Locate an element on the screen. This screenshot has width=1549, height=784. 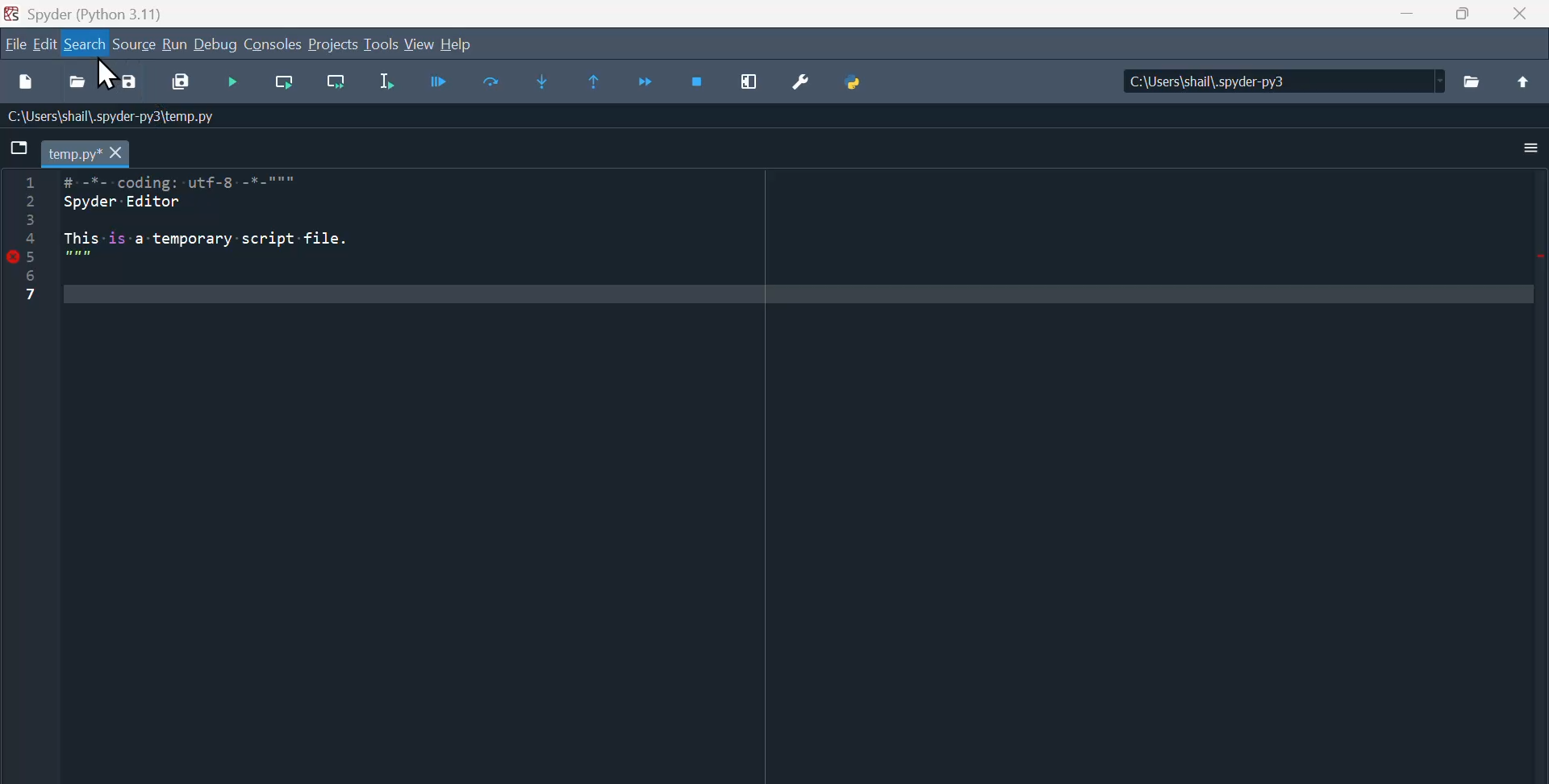
Move up is located at coordinates (1521, 81).